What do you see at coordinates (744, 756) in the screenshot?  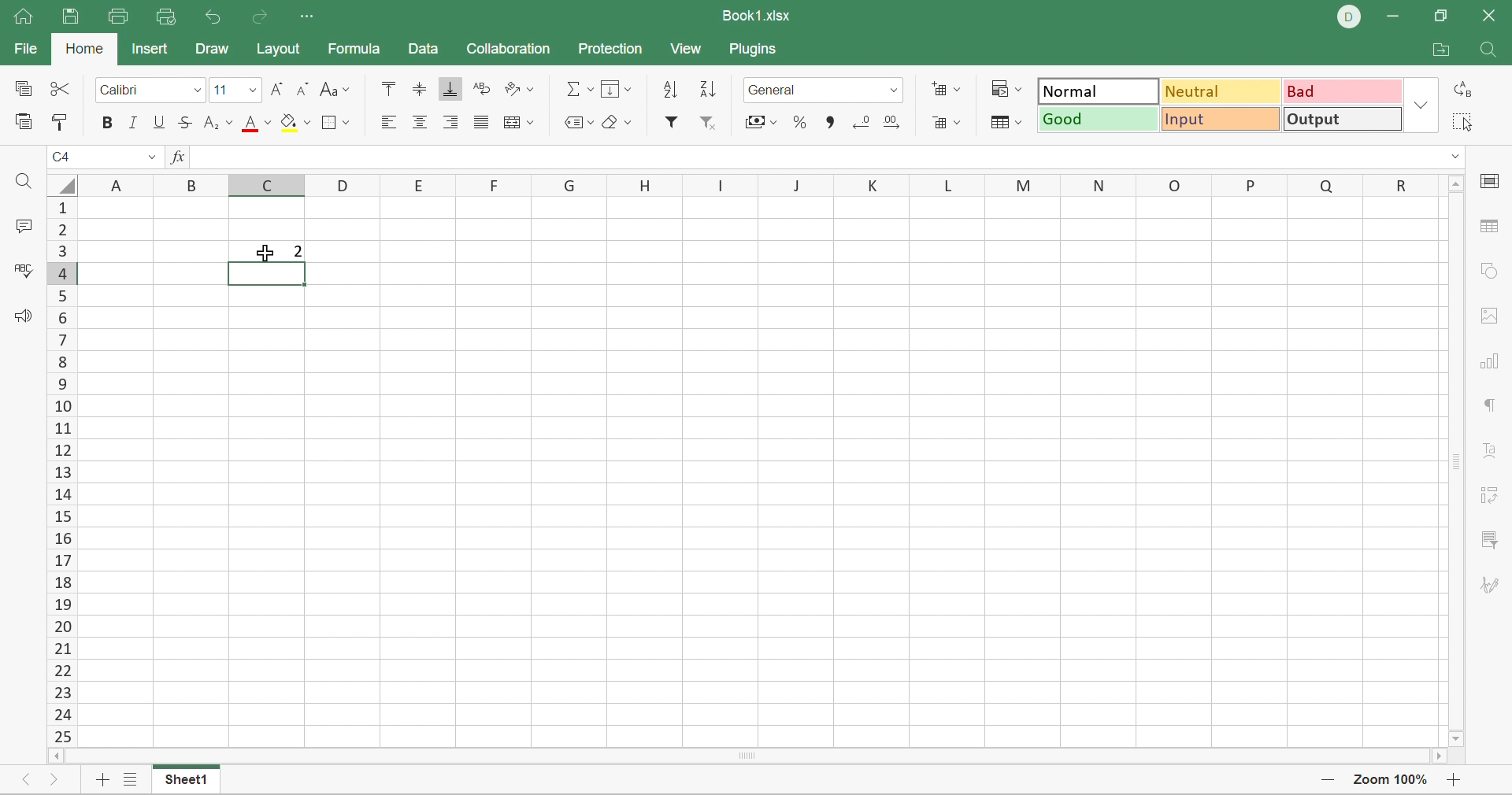 I see `Scroll Bar` at bounding box center [744, 756].